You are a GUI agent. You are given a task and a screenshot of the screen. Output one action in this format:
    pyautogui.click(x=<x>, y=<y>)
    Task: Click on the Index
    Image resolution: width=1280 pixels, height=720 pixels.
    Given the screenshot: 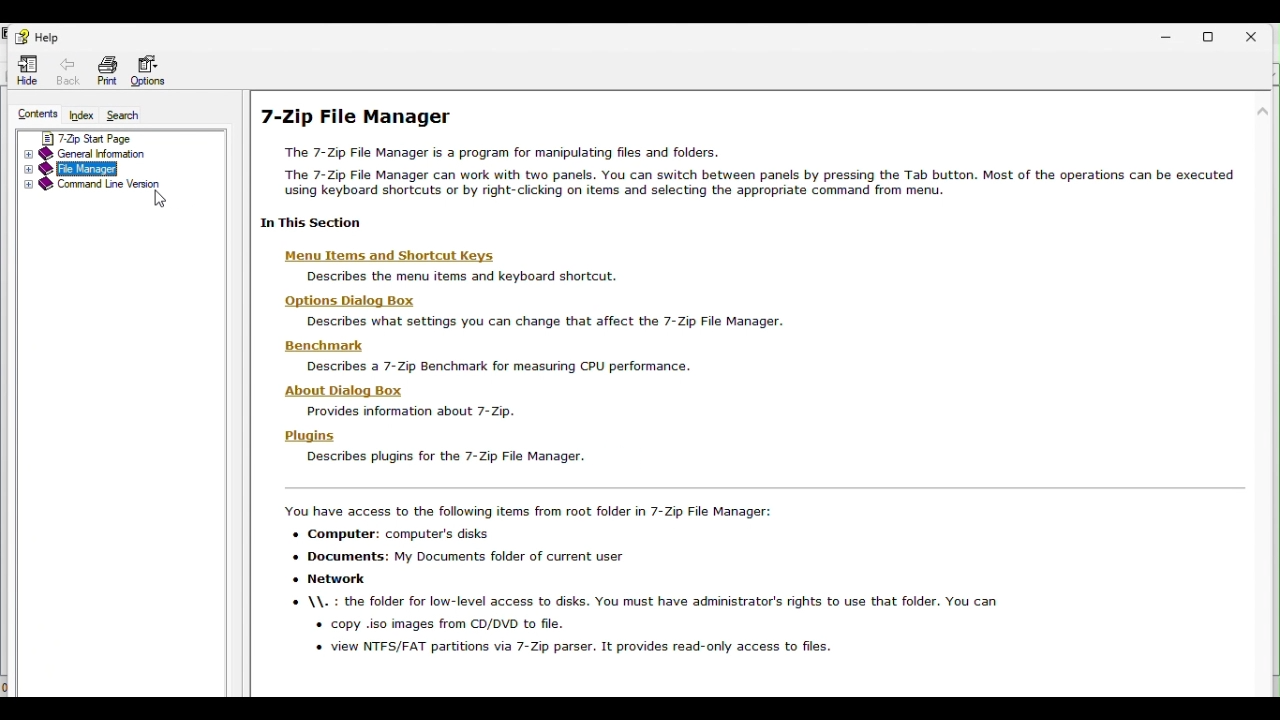 What is the action you would take?
    pyautogui.click(x=82, y=115)
    